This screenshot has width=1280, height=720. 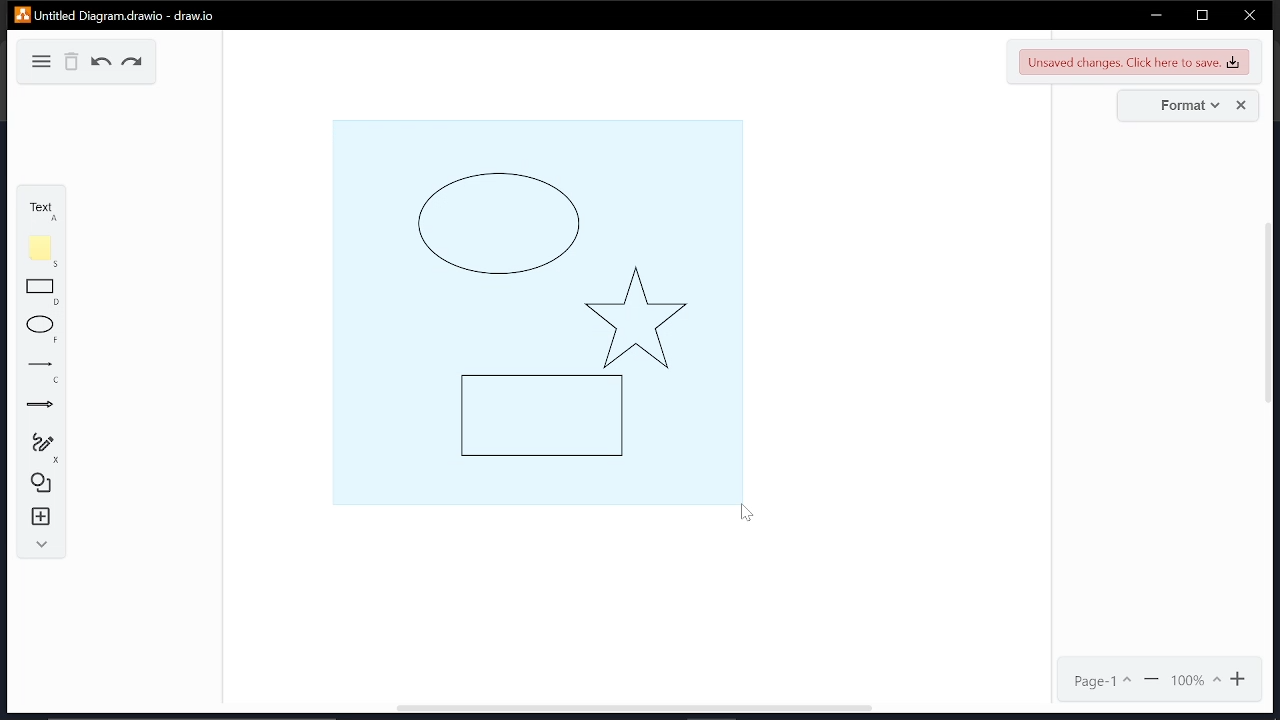 I want to click on ellipse, so click(x=42, y=330).